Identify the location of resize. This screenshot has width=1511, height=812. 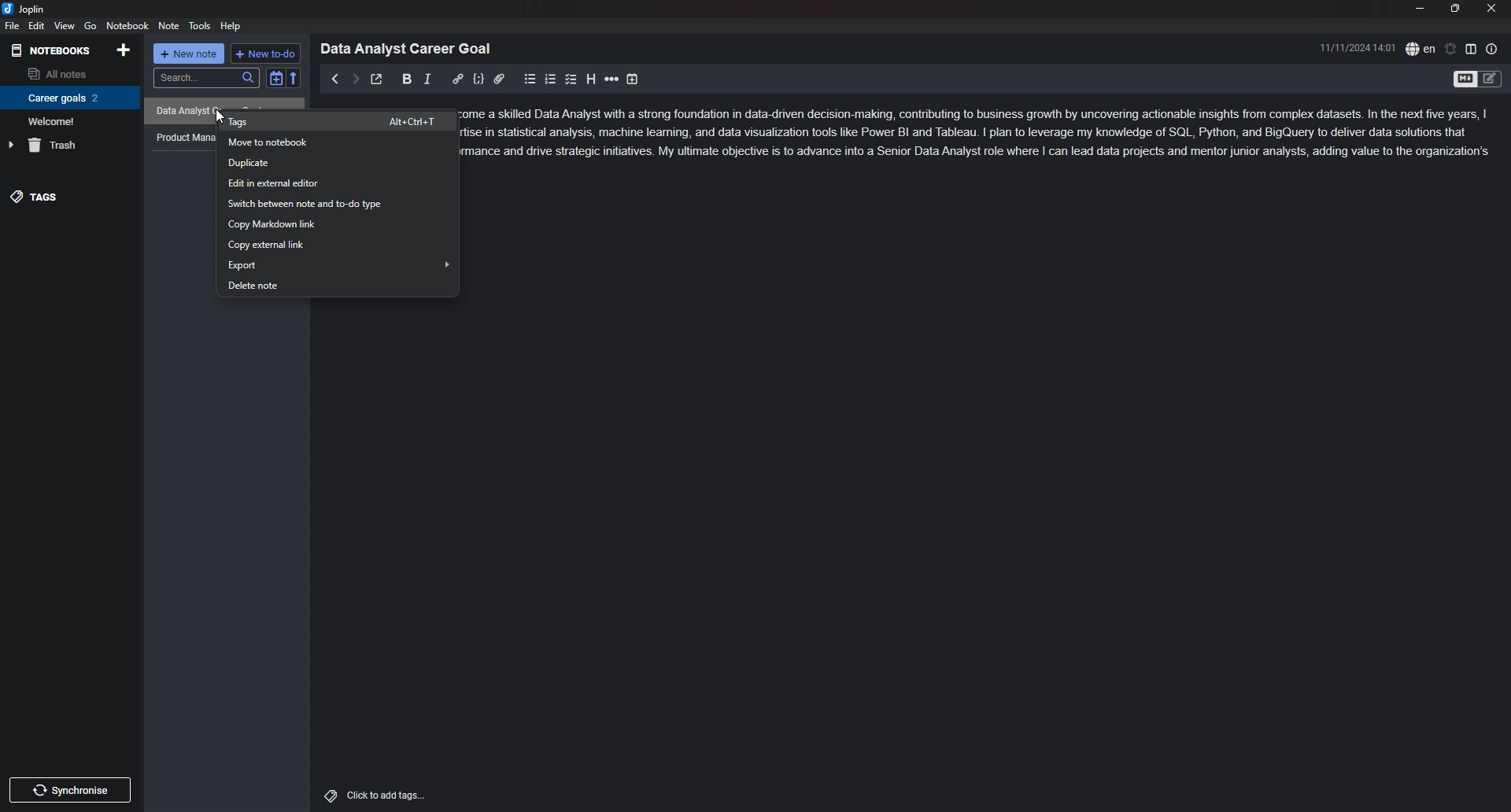
(1456, 8).